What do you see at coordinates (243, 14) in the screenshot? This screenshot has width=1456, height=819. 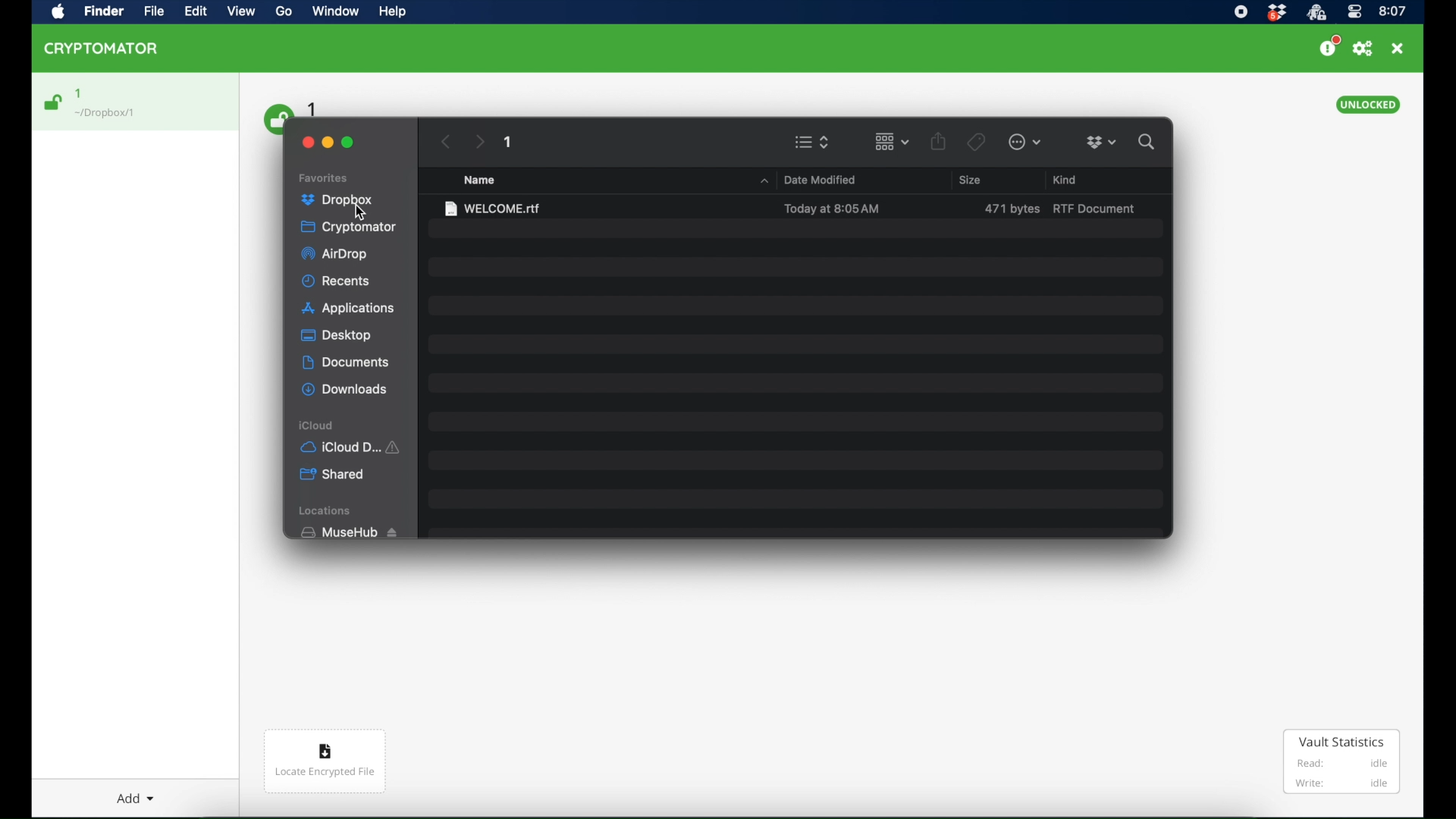 I see `View` at bounding box center [243, 14].